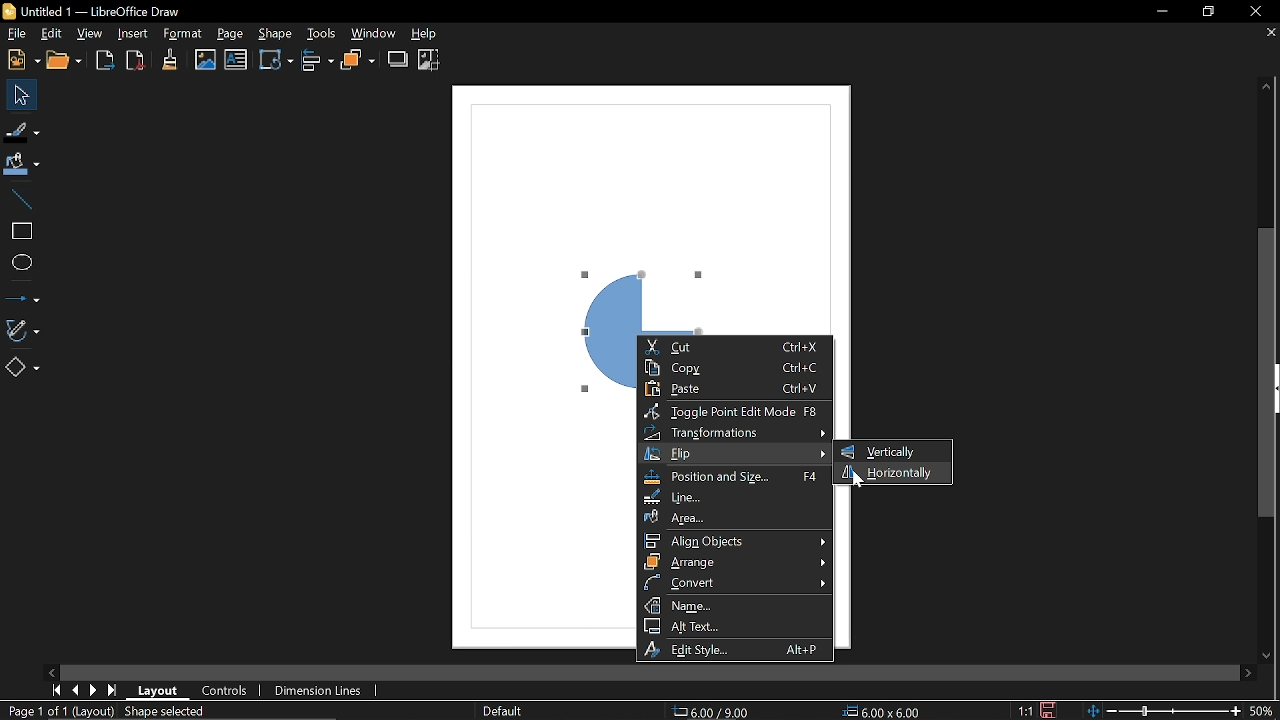  What do you see at coordinates (883, 711) in the screenshot?
I see `Size` at bounding box center [883, 711].